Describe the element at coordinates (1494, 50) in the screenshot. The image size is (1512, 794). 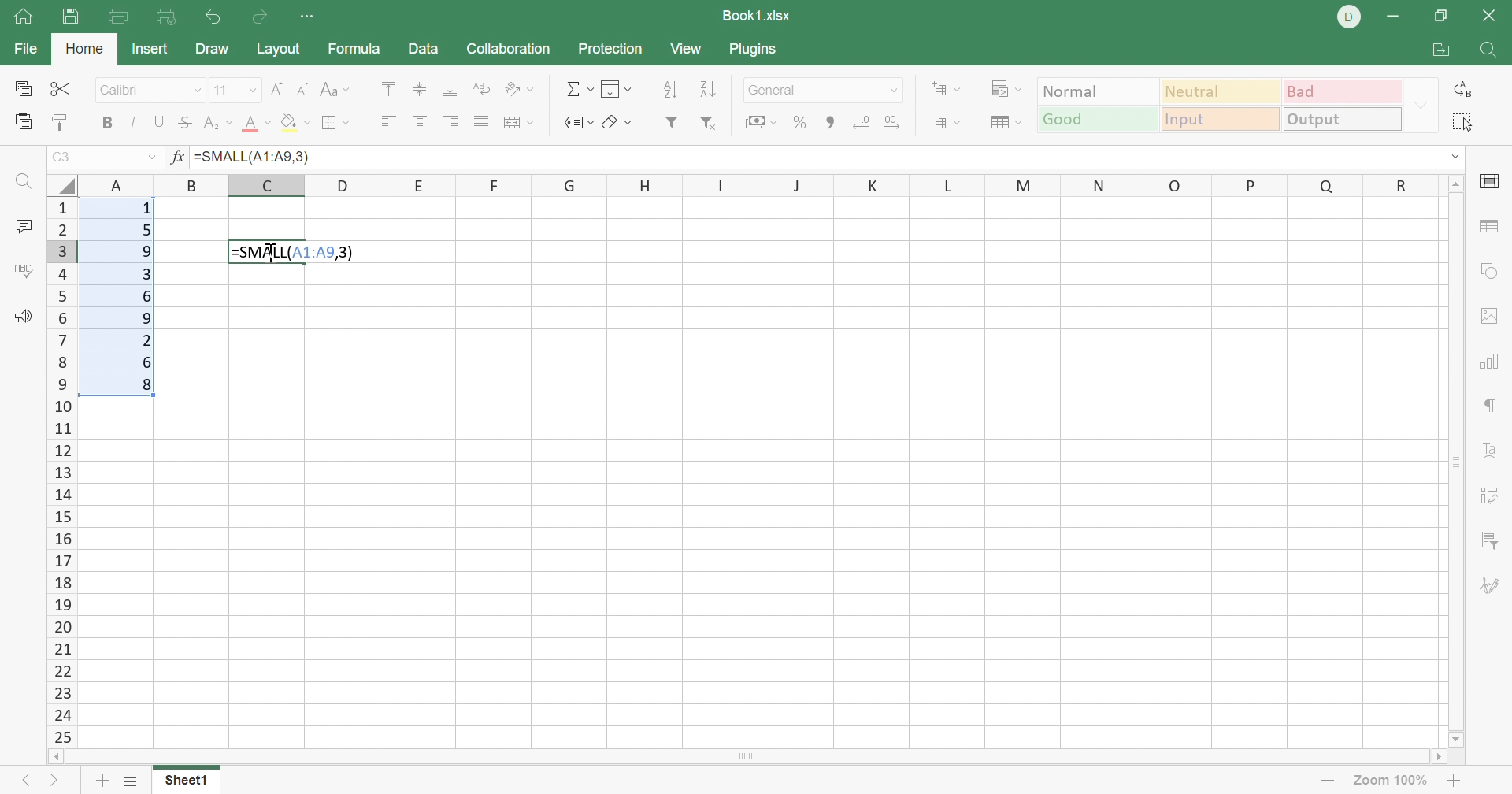
I see `Find` at that location.